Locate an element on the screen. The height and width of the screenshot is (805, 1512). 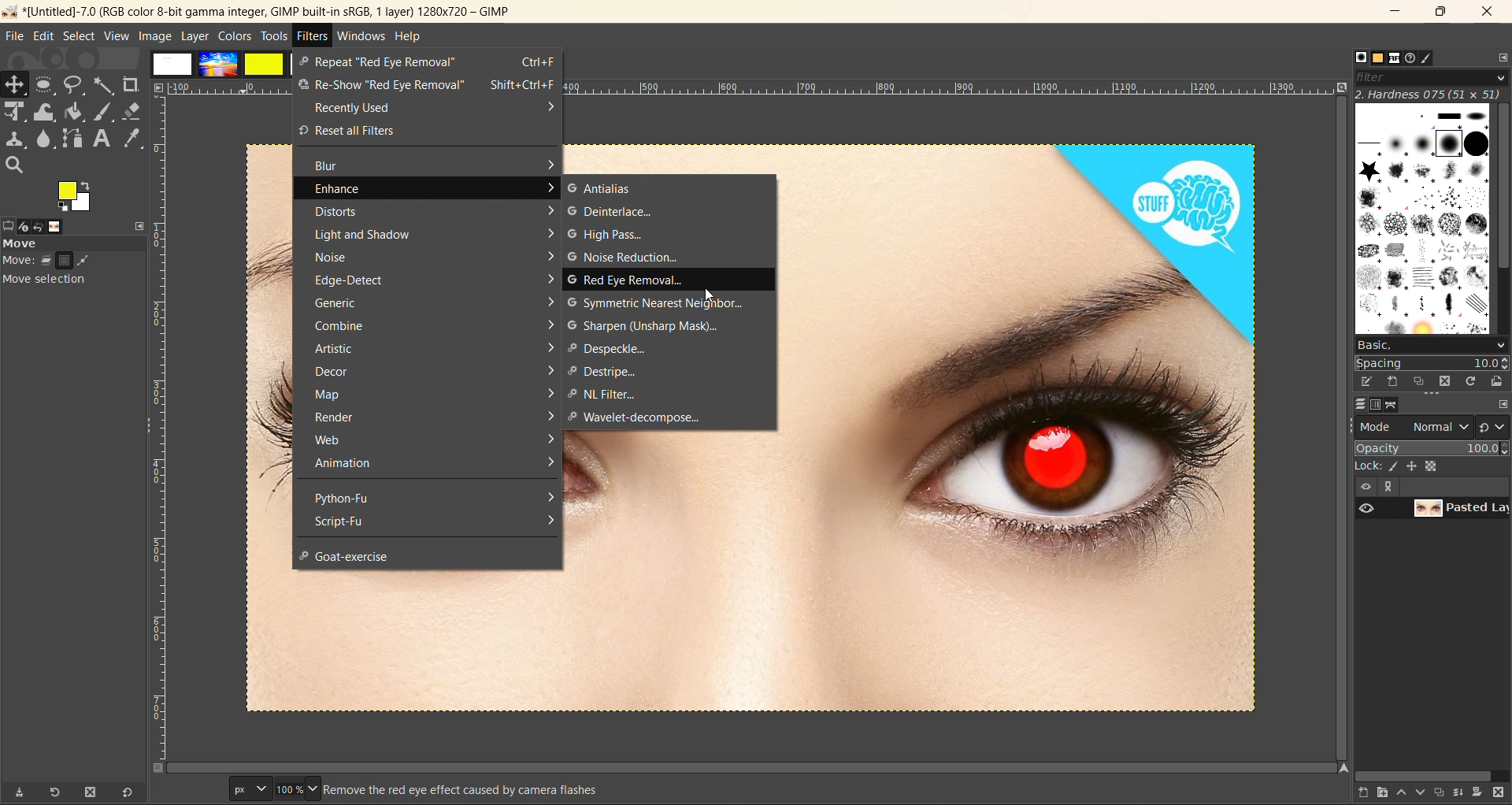
image is located at coordinates (152, 36).